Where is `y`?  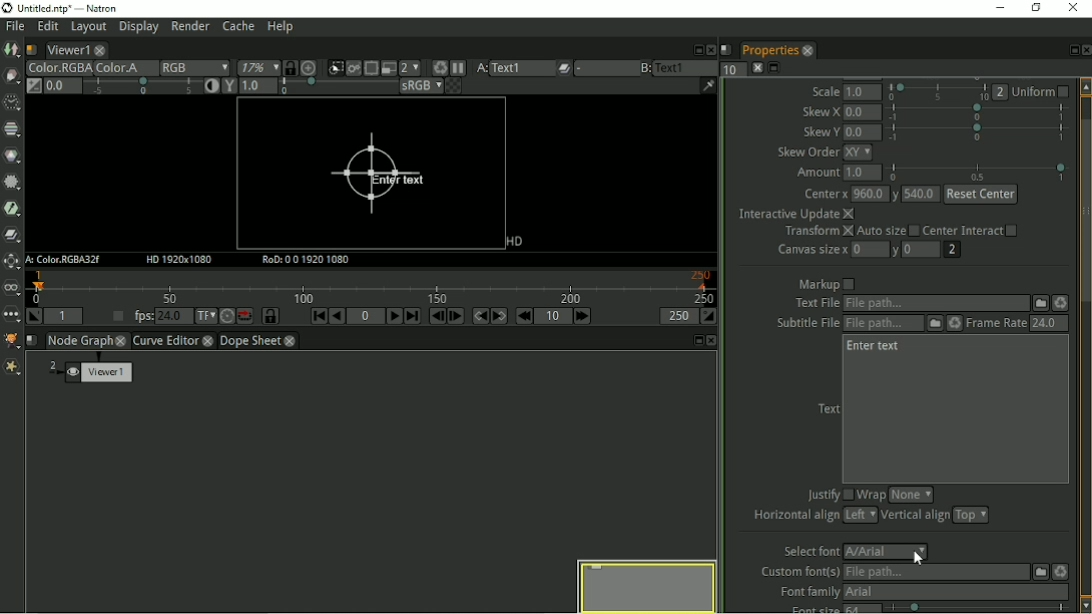 y is located at coordinates (894, 196).